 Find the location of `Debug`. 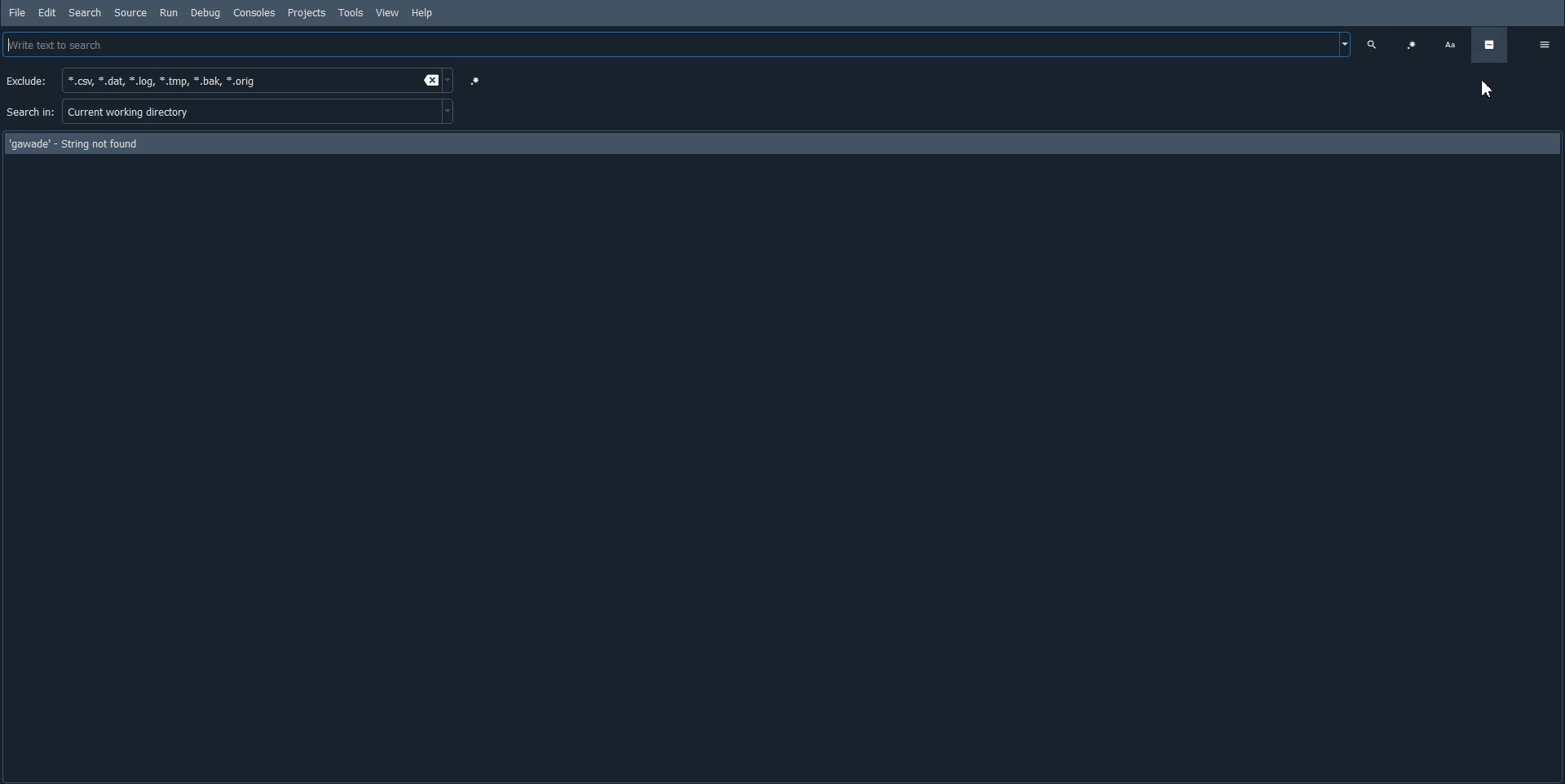

Debug is located at coordinates (205, 12).